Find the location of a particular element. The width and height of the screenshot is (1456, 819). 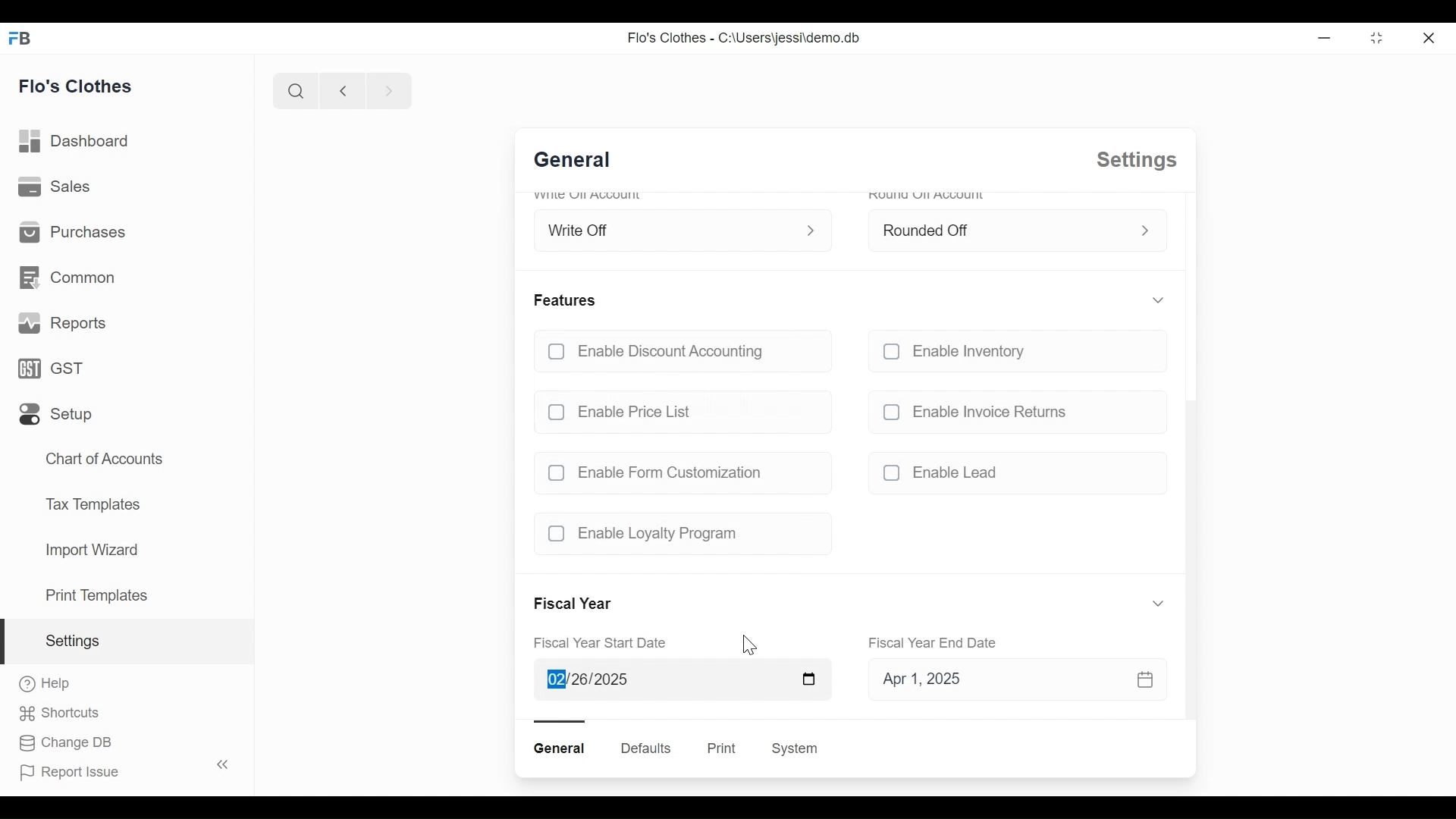

unchecked Enable Form Customization is located at coordinates (676, 472).